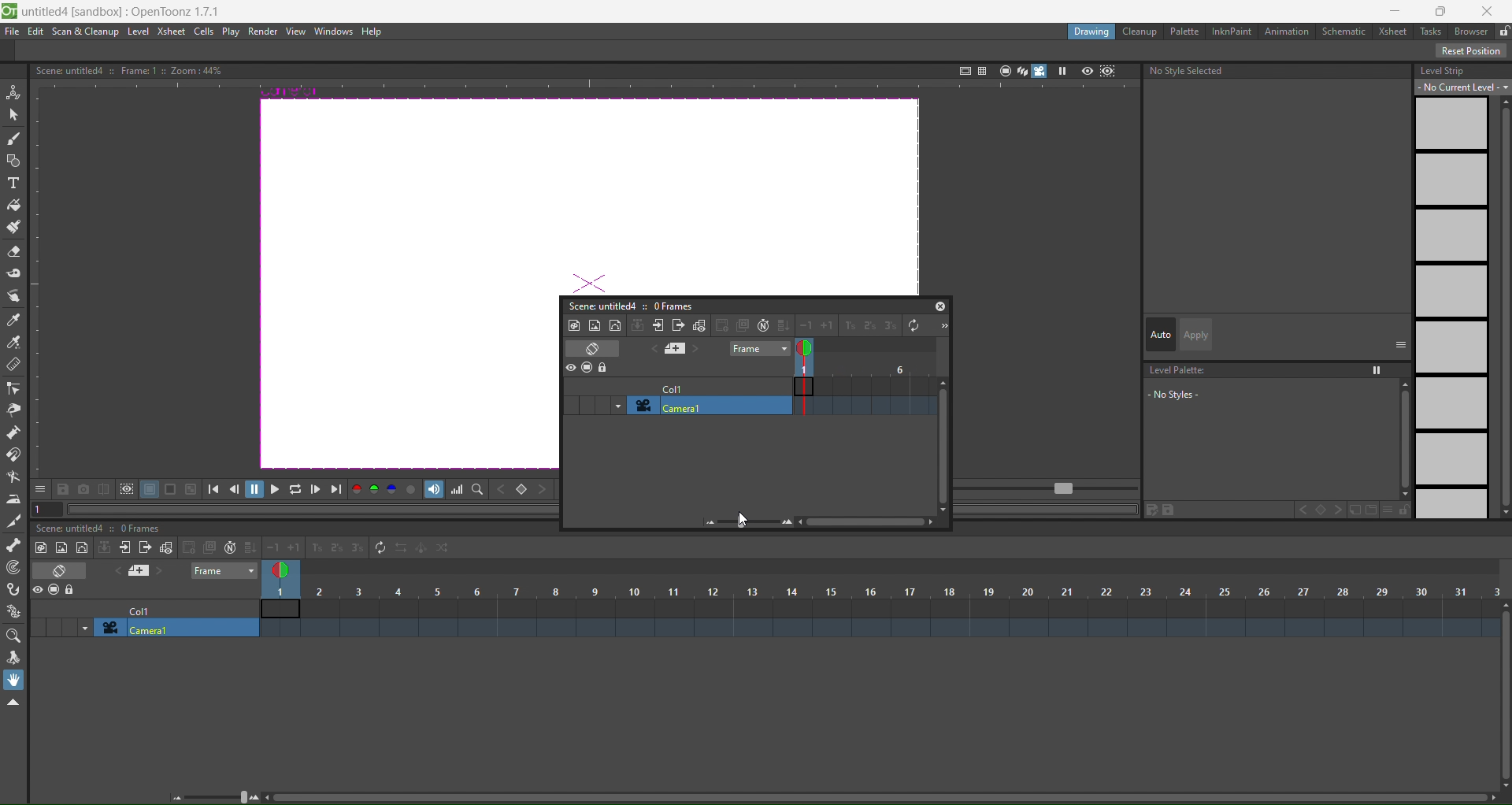 This screenshot has width=1512, height=805. What do you see at coordinates (145, 549) in the screenshot?
I see `close sub sheet` at bounding box center [145, 549].